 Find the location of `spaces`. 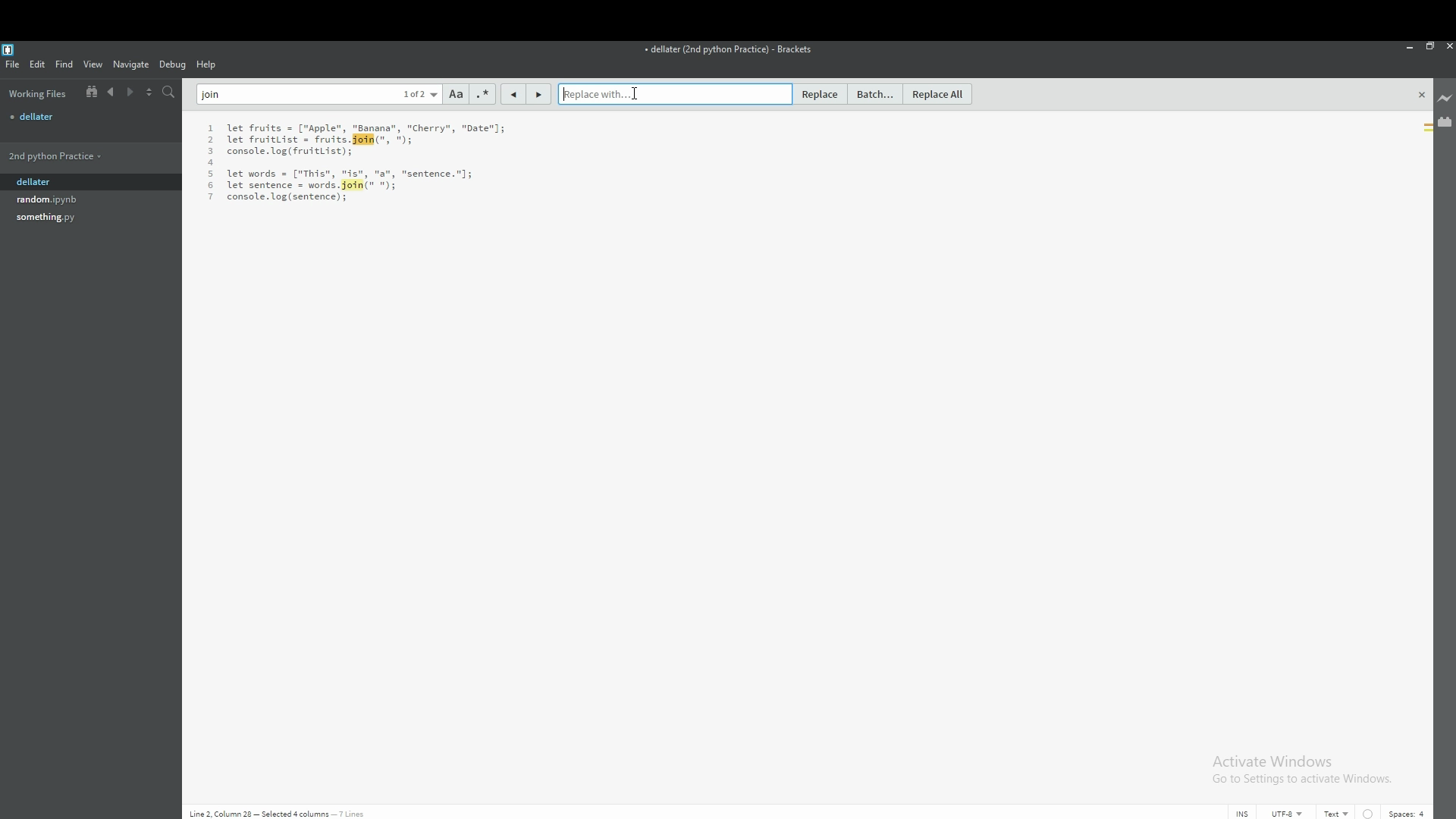

spaces is located at coordinates (1409, 812).